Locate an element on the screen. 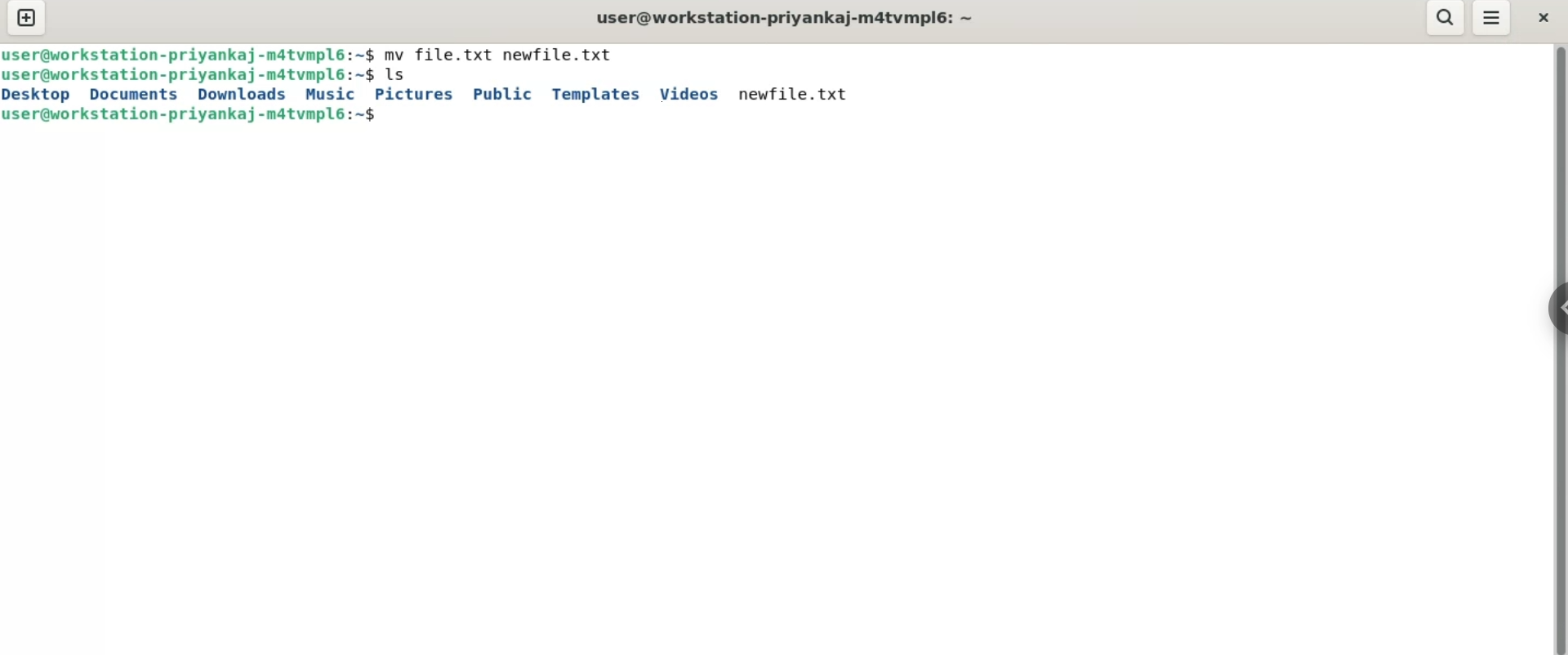 The image size is (1568, 655). public is located at coordinates (500, 94).